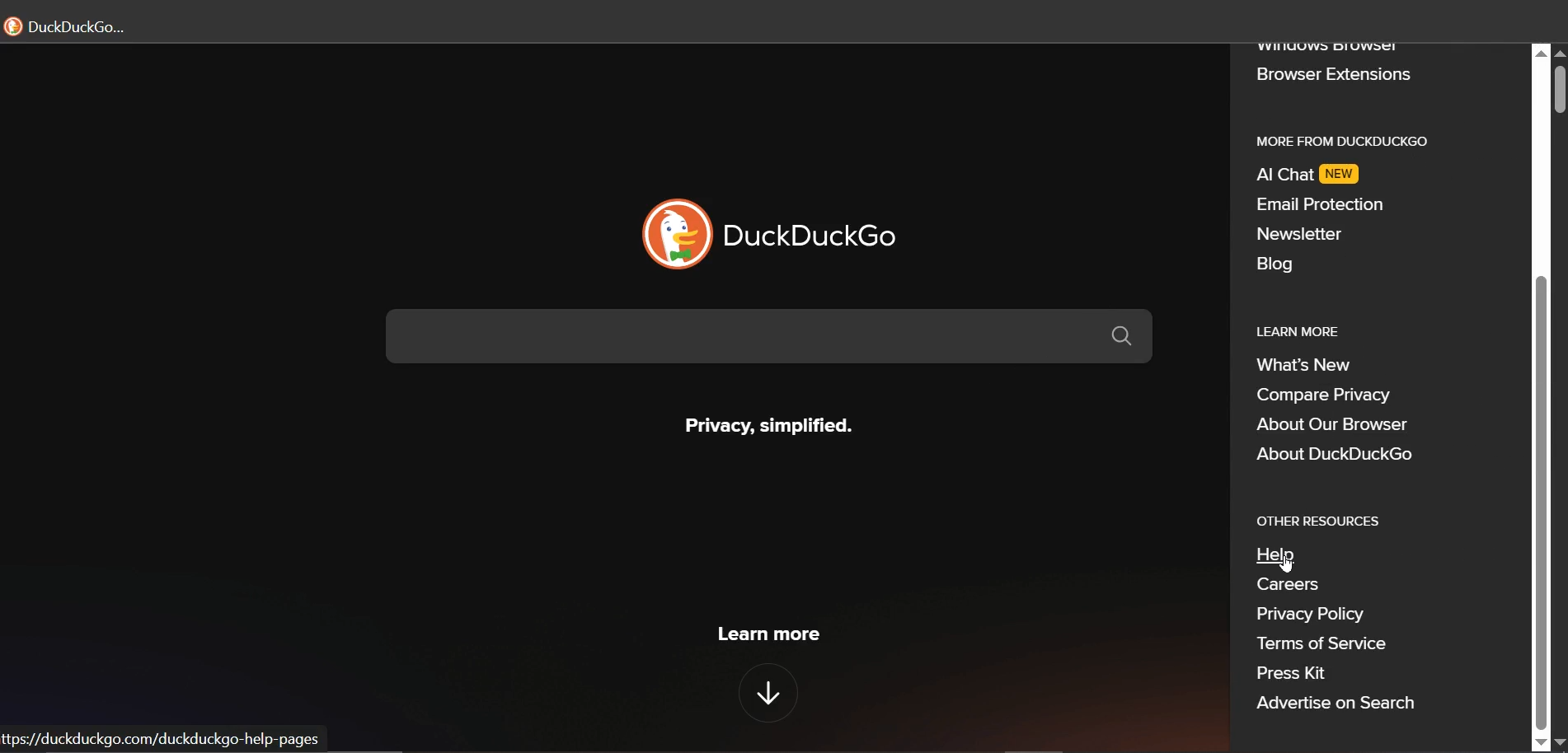  I want to click on OTHER RESOURCES, so click(1321, 521).